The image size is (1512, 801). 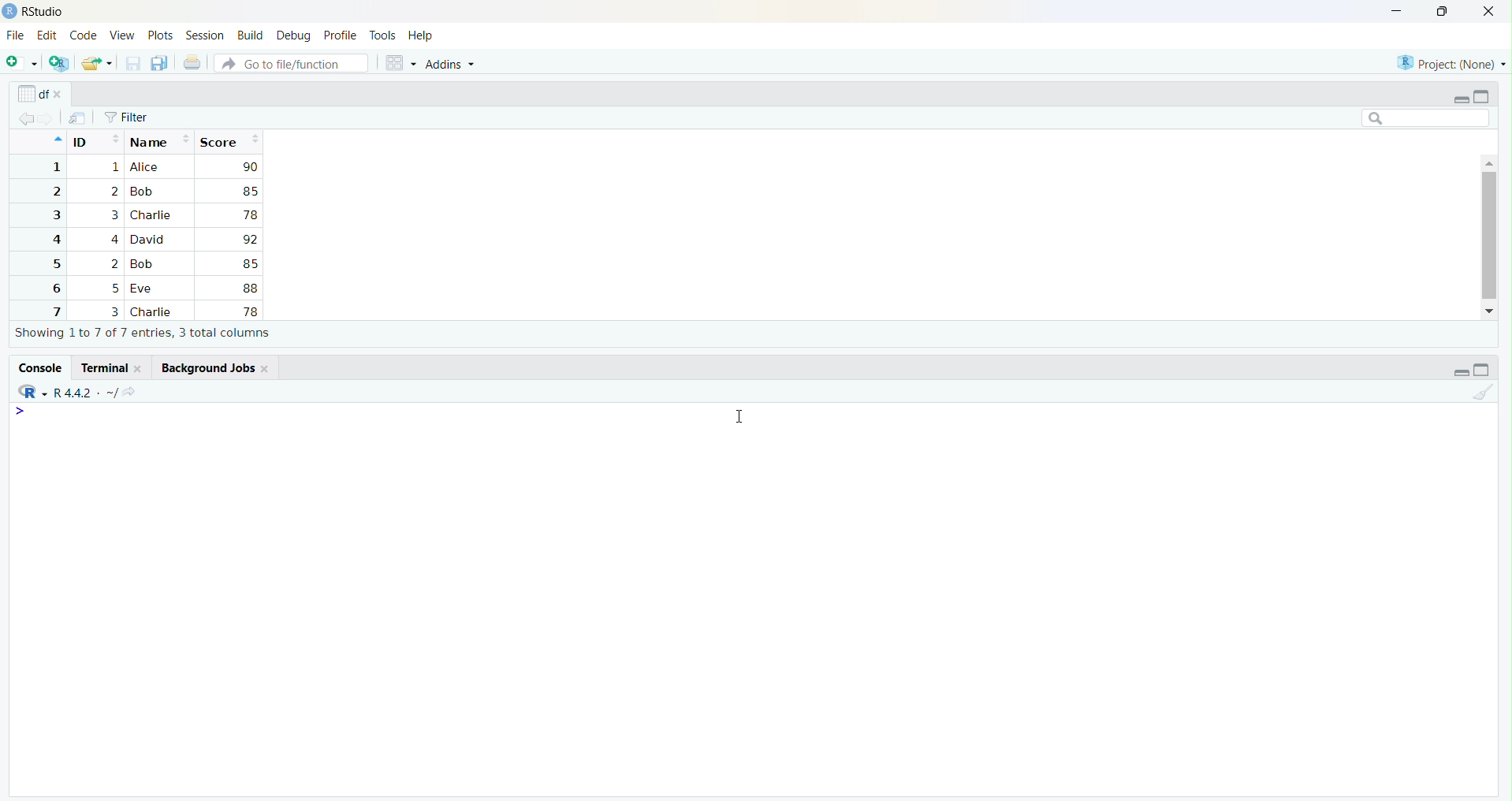 I want to click on 78, so click(x=249, y=311).